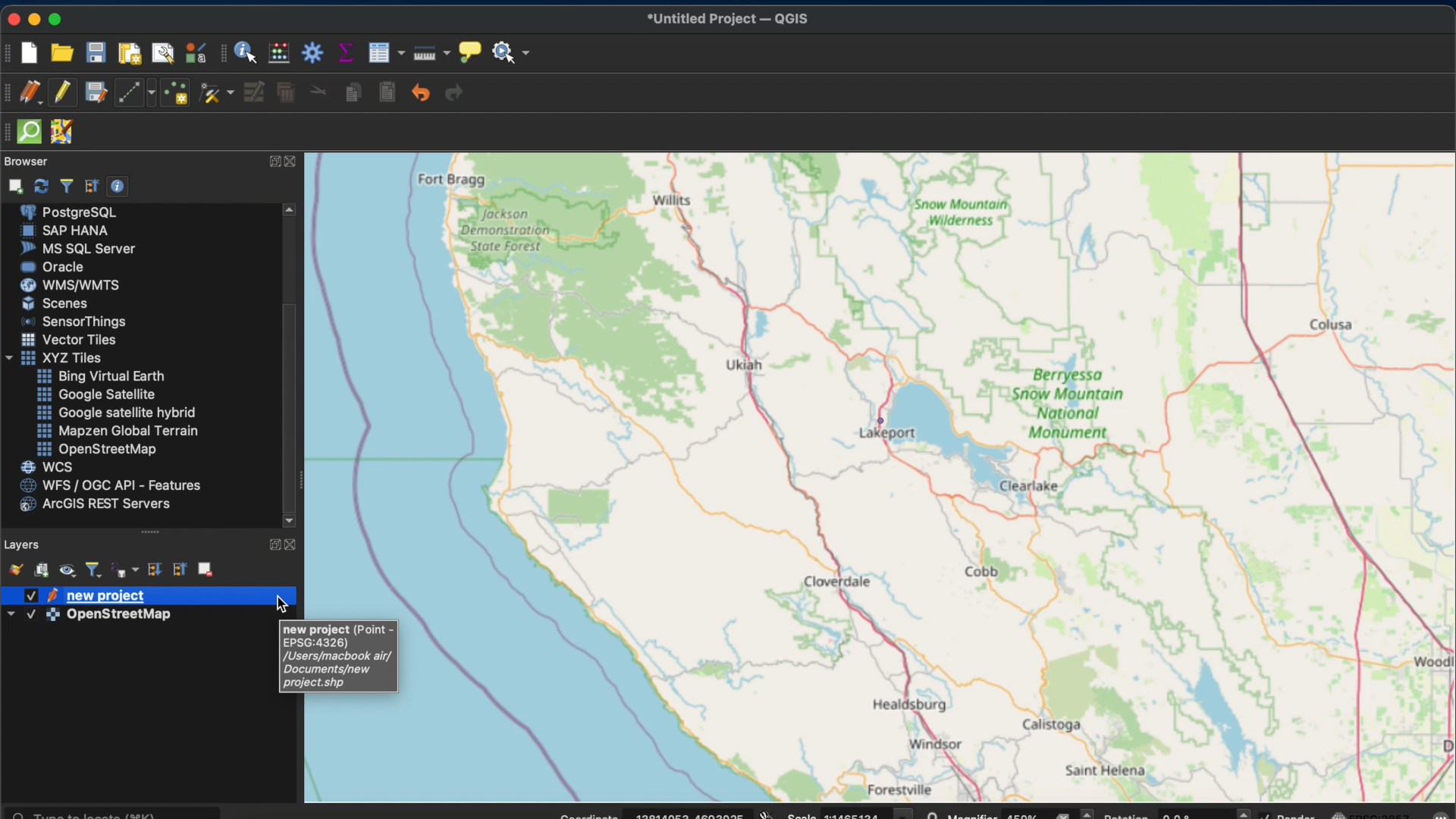 This screenshot has width=1456, height=819. I want to click on untitled project QGIS, so click(727, 19).